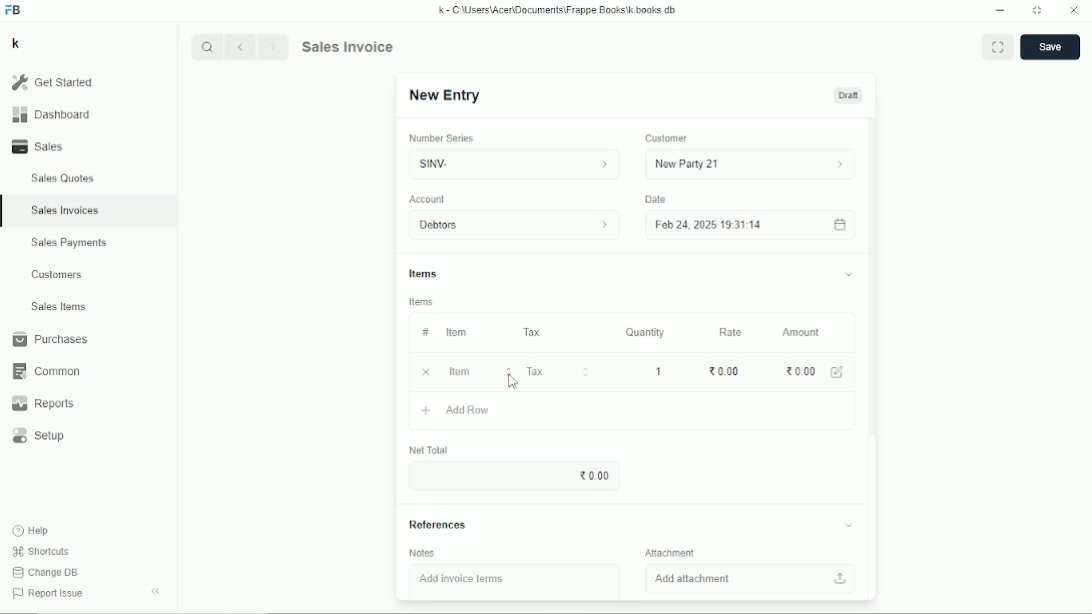 The width and height of the screenshot is (1092, 614). Describe the element at coordinates (422, 302) in the screenshot. I see `Items` at that location.